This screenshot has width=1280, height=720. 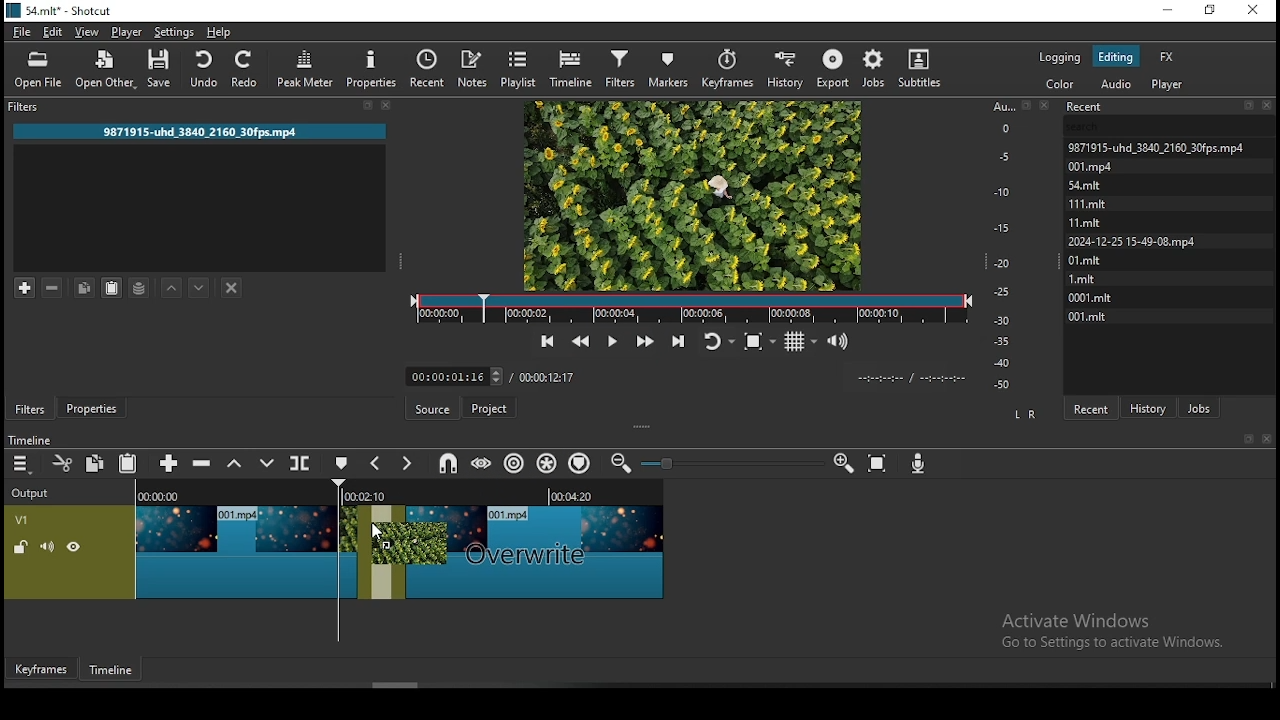 I want to click on audio, so click(x=1115, y=85).